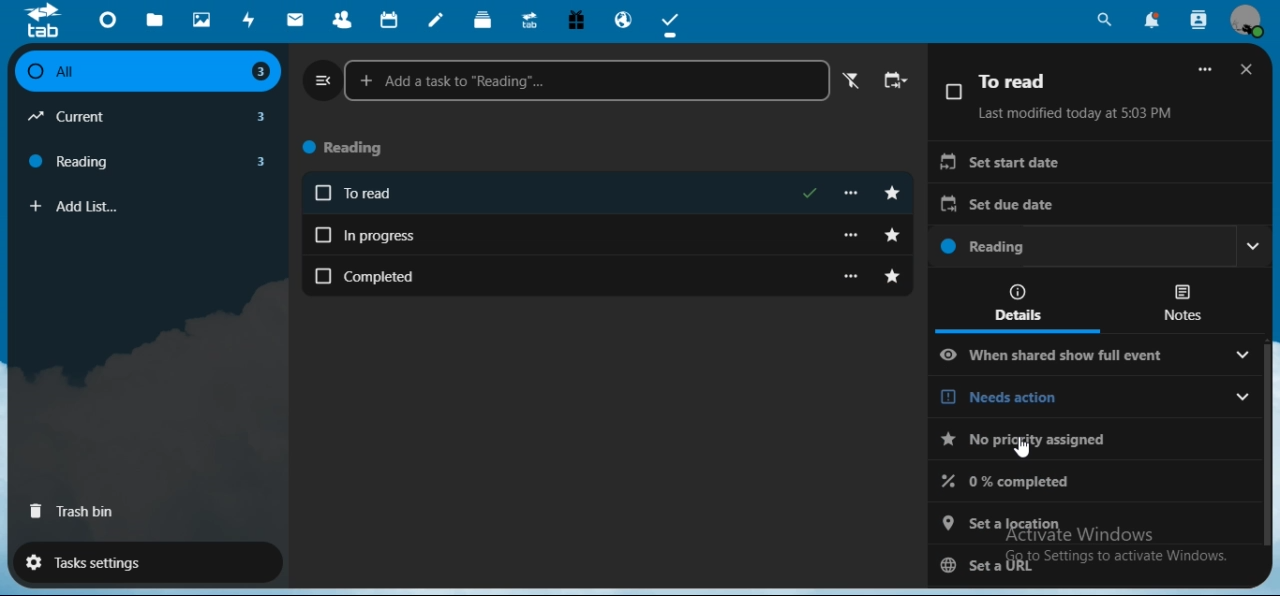 Image resolution: width=1280 pixels, height=596 pixels. What do you see at coordinates (585, 235) in the screenshot?
I see `in progress` at bounding box center [585, 235].